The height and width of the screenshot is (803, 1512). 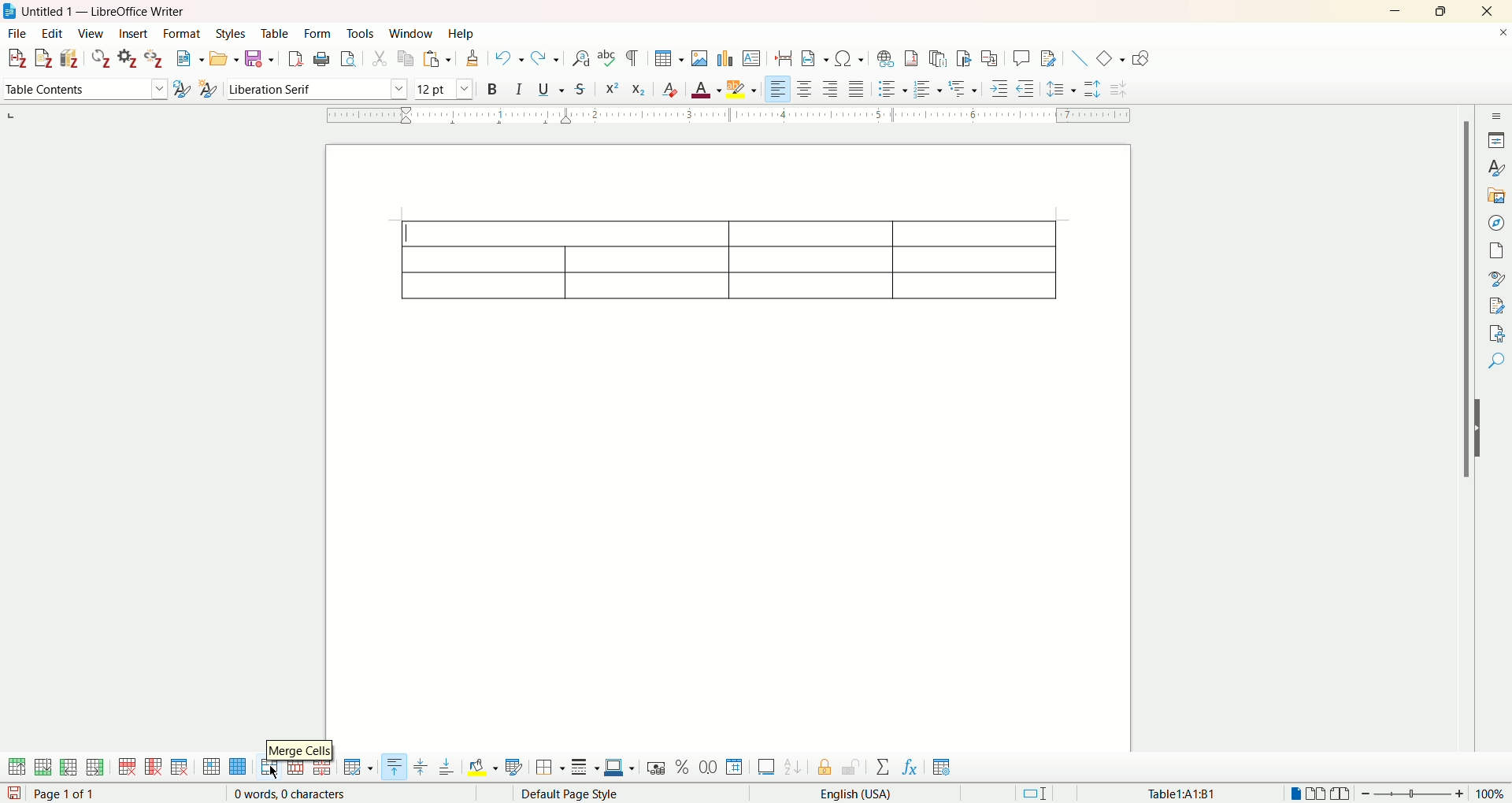 I want to click on English (USA), so click(x=847, y=794).